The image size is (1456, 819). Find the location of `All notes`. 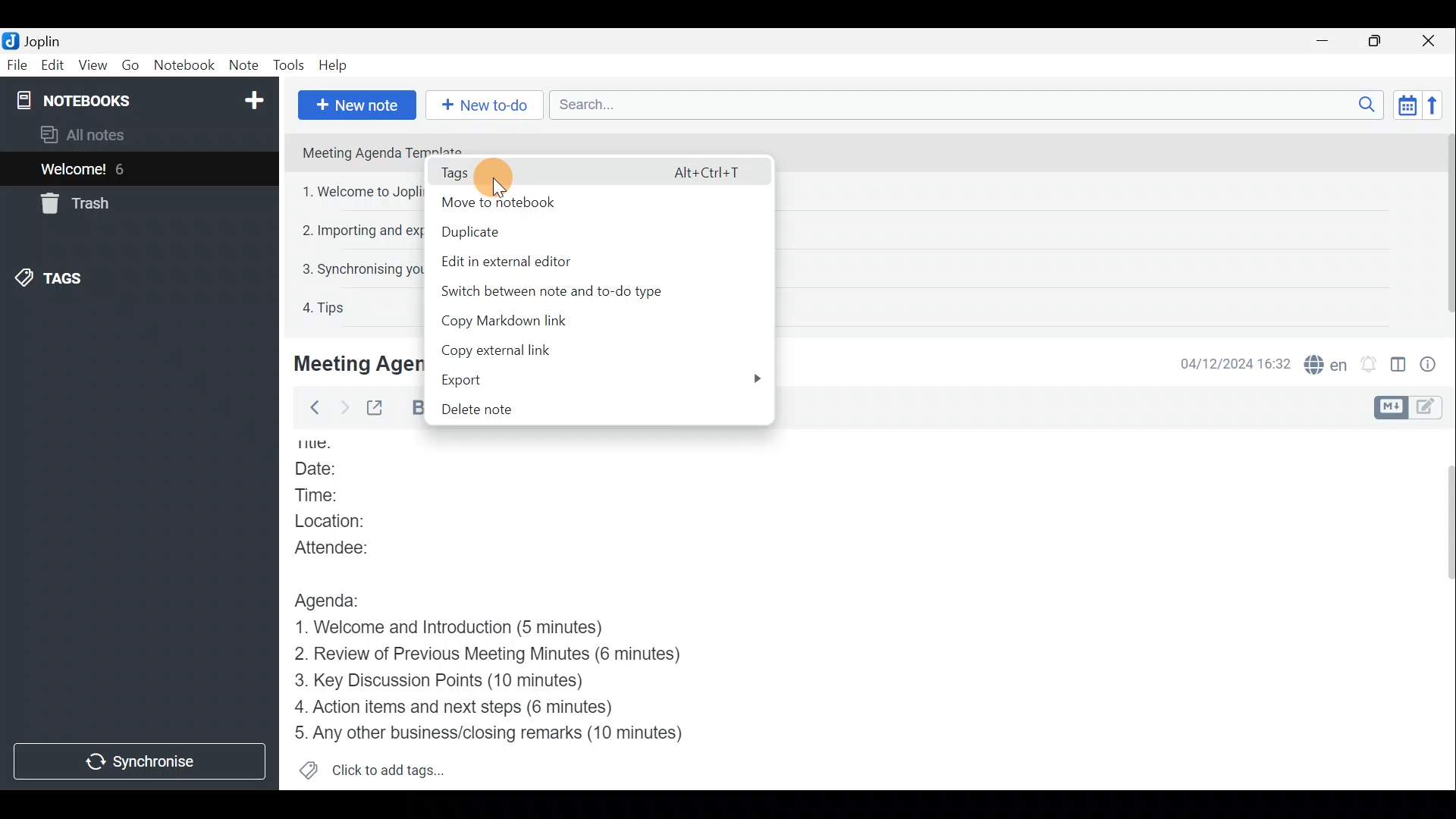

All notes is located at coordinates (108, 134).